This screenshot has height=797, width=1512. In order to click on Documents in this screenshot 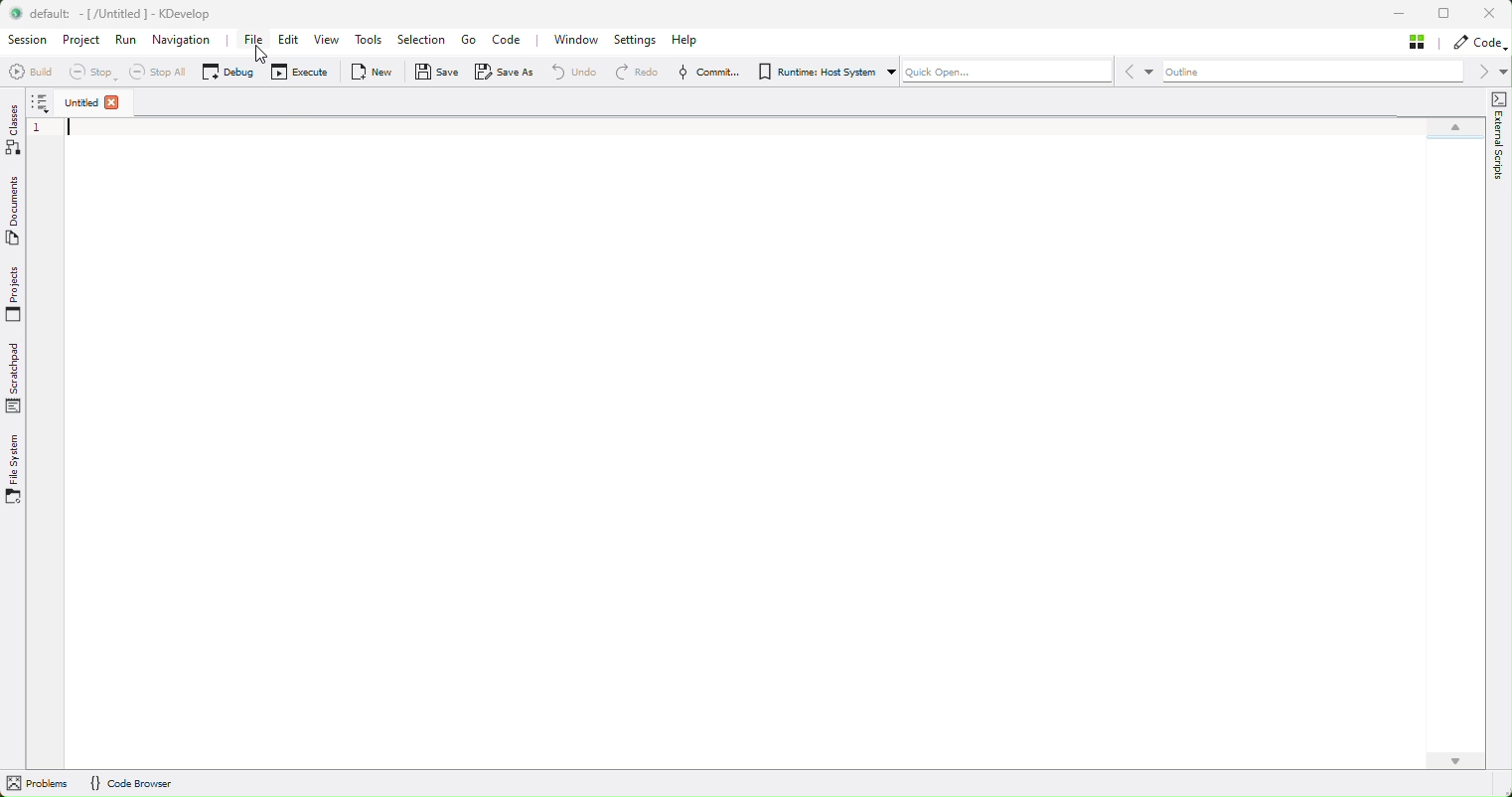, I will do `click(17, 214)`.